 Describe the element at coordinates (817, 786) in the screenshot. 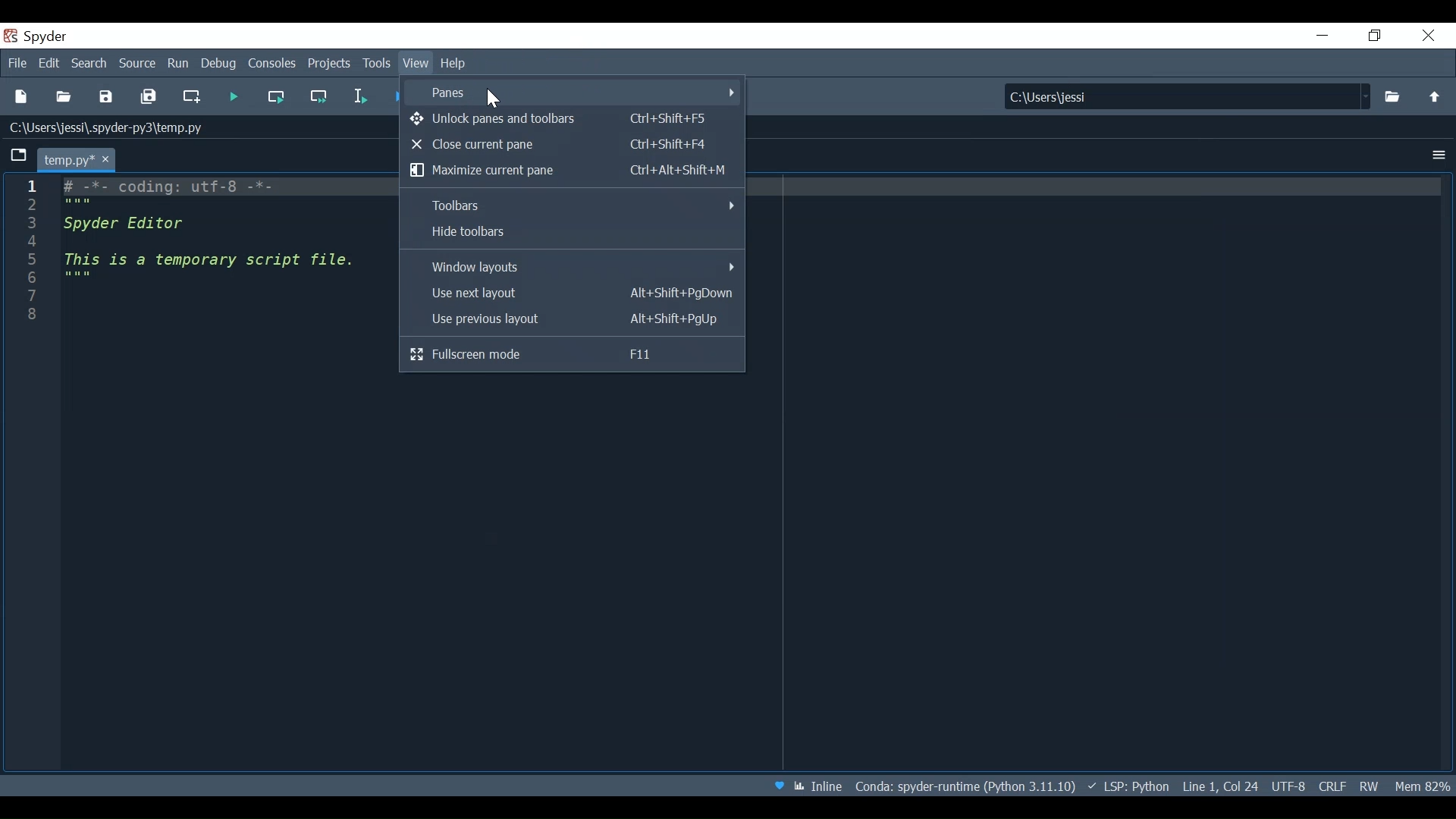

I see `Toggle between inline and interactive Matplotlib plotting` at that location.